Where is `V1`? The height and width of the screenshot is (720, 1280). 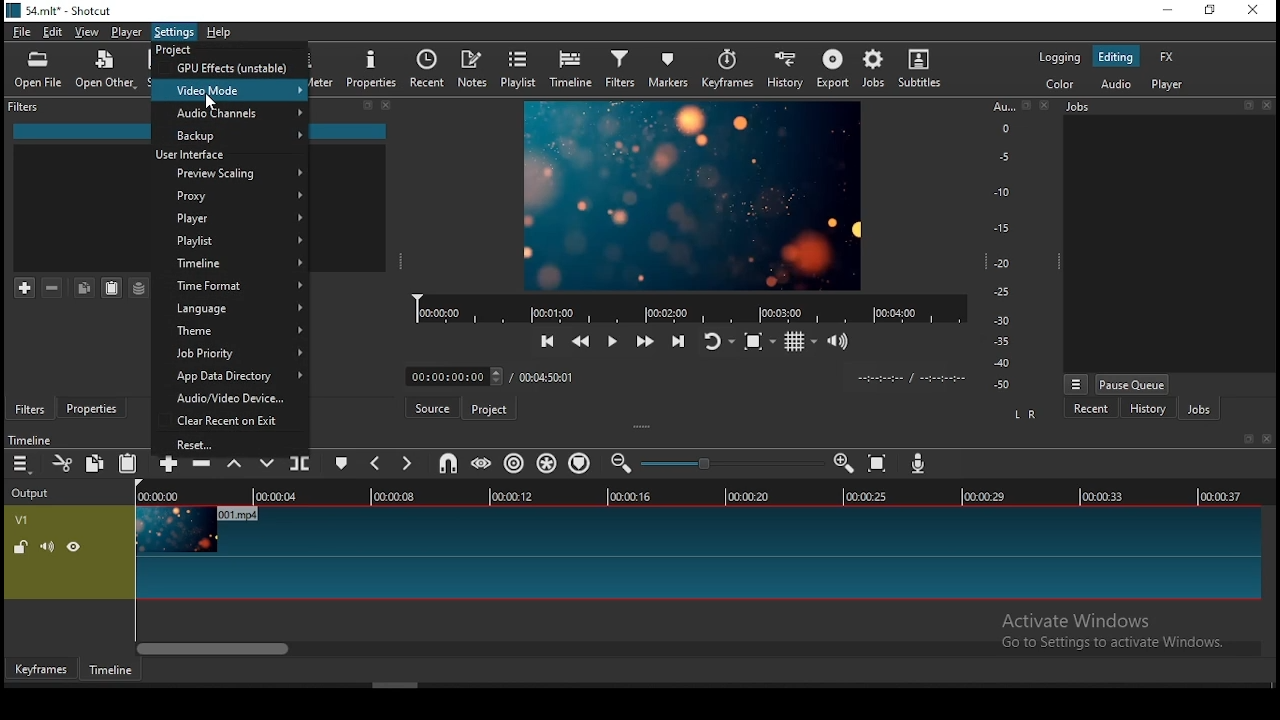 V1 is located at coordinates (20, 520).